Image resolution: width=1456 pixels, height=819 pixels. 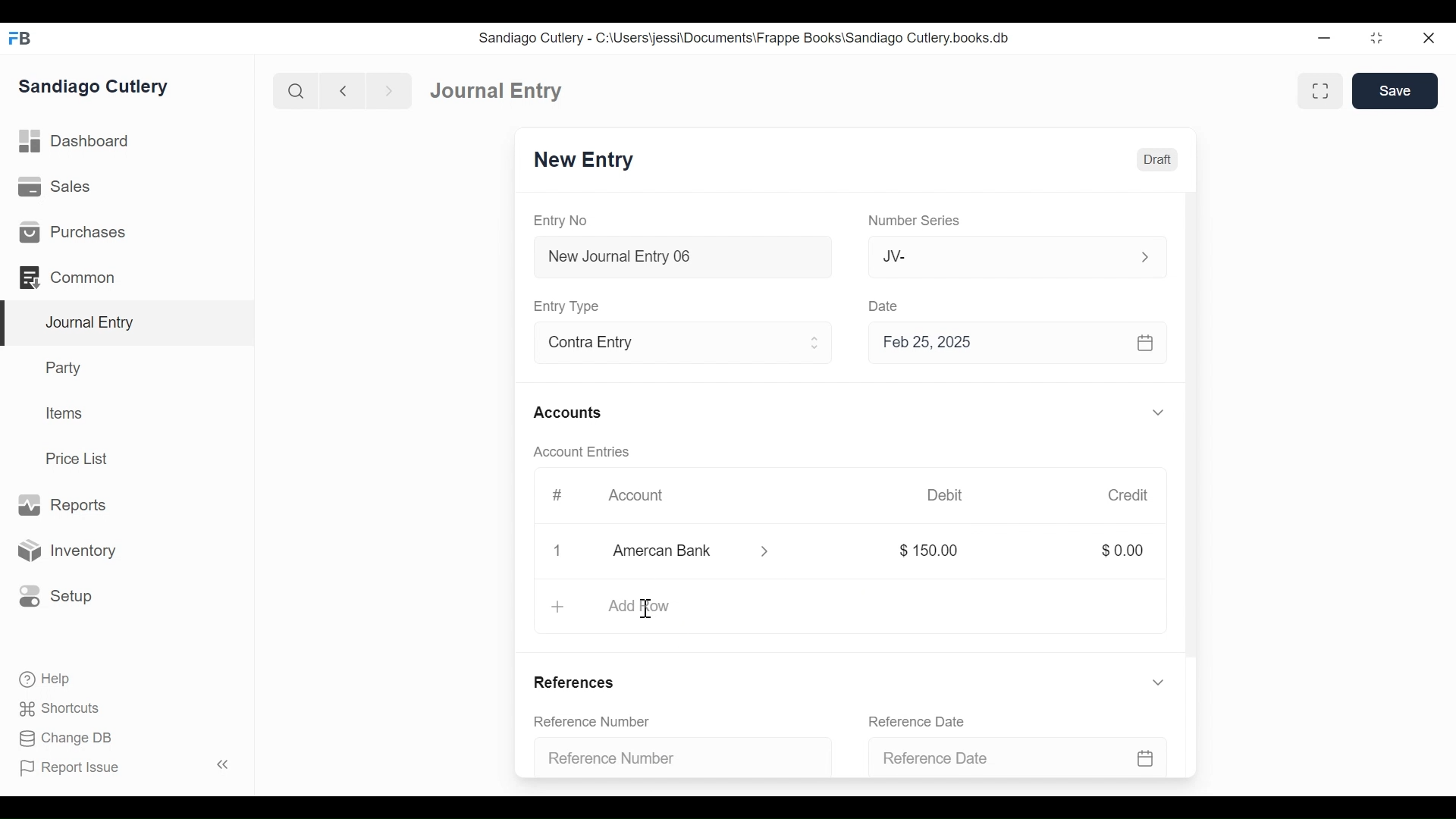 What do you see at coordinates (601, 723) in the screenshot?
I see `Reference Number` at bounding box center [601, 723].